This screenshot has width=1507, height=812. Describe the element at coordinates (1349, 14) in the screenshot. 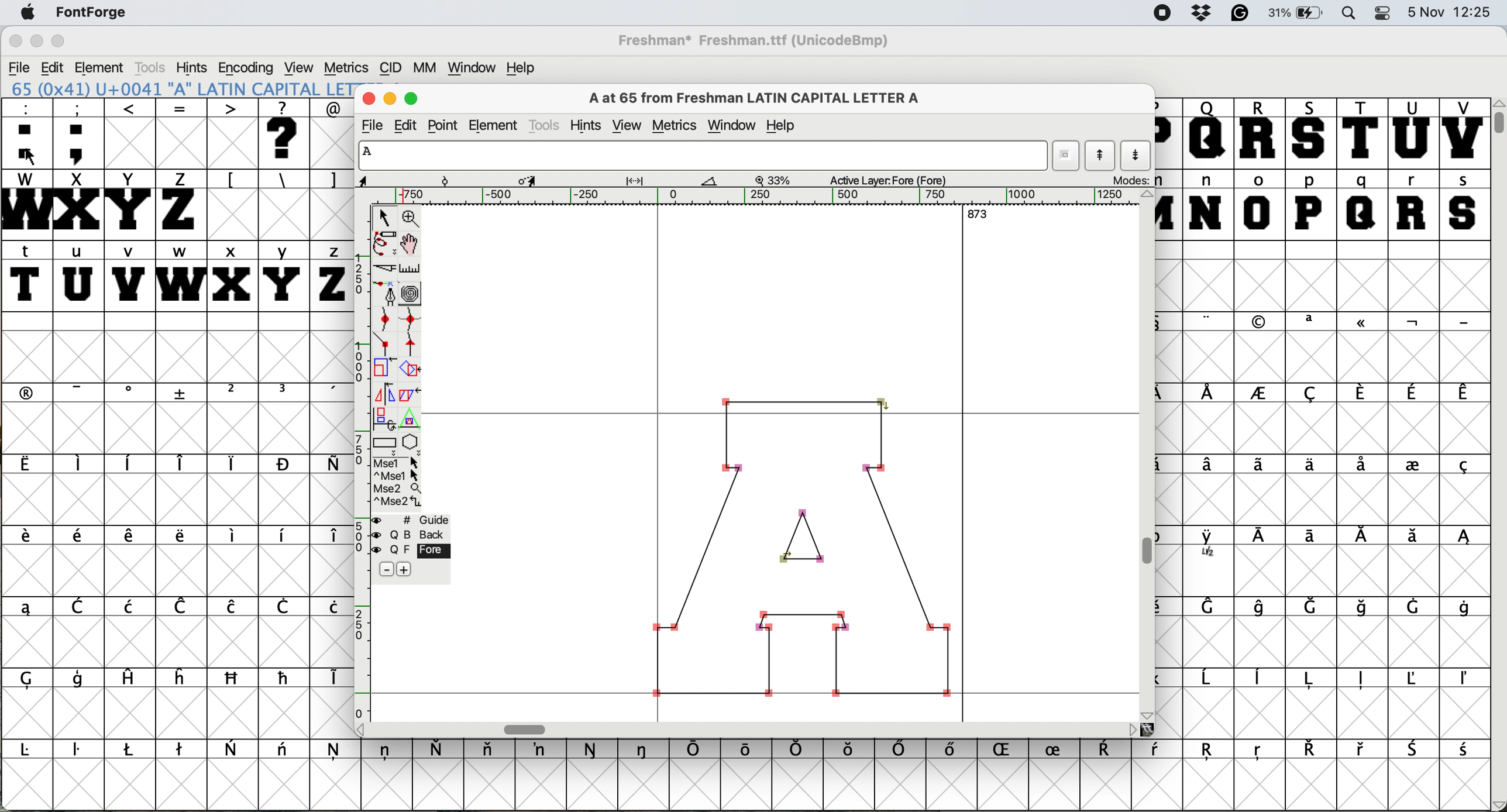

I see `spotlight search` at that location.